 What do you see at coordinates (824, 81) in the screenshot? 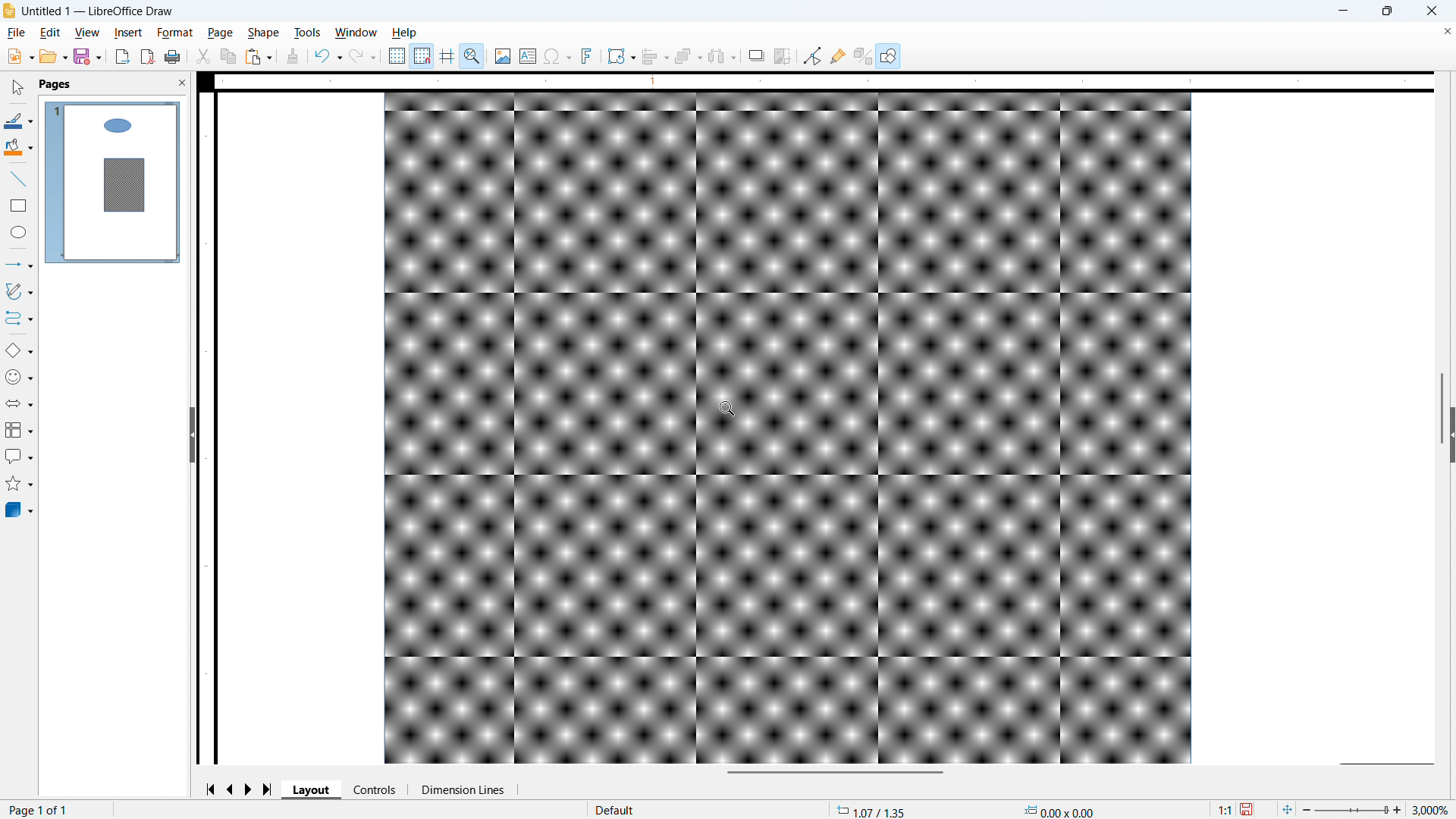
I see `Horizontal ruler ` at bounding box center [824, 81].